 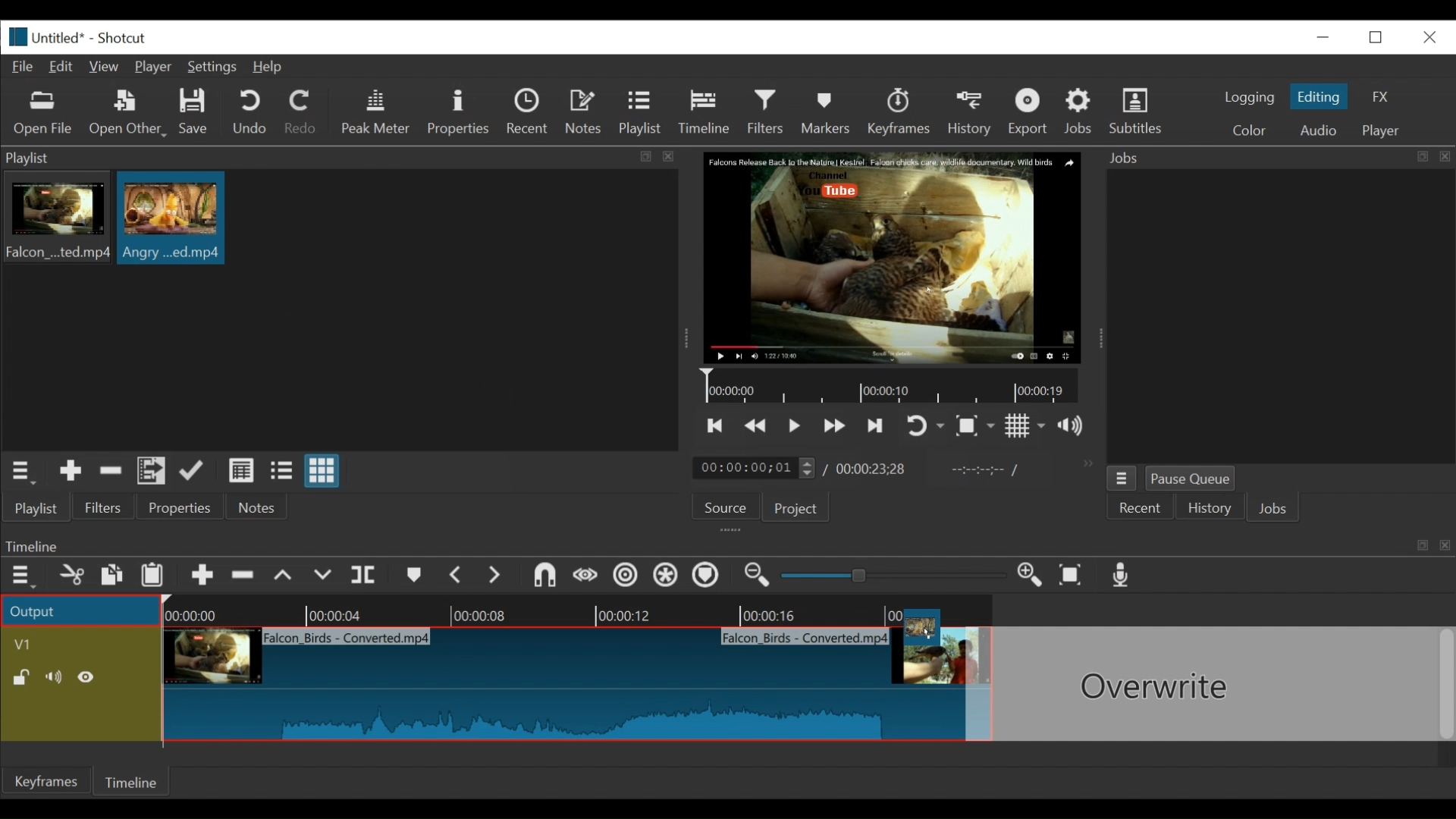 I want to click on toggle player looping, so click(x=925, y=427).